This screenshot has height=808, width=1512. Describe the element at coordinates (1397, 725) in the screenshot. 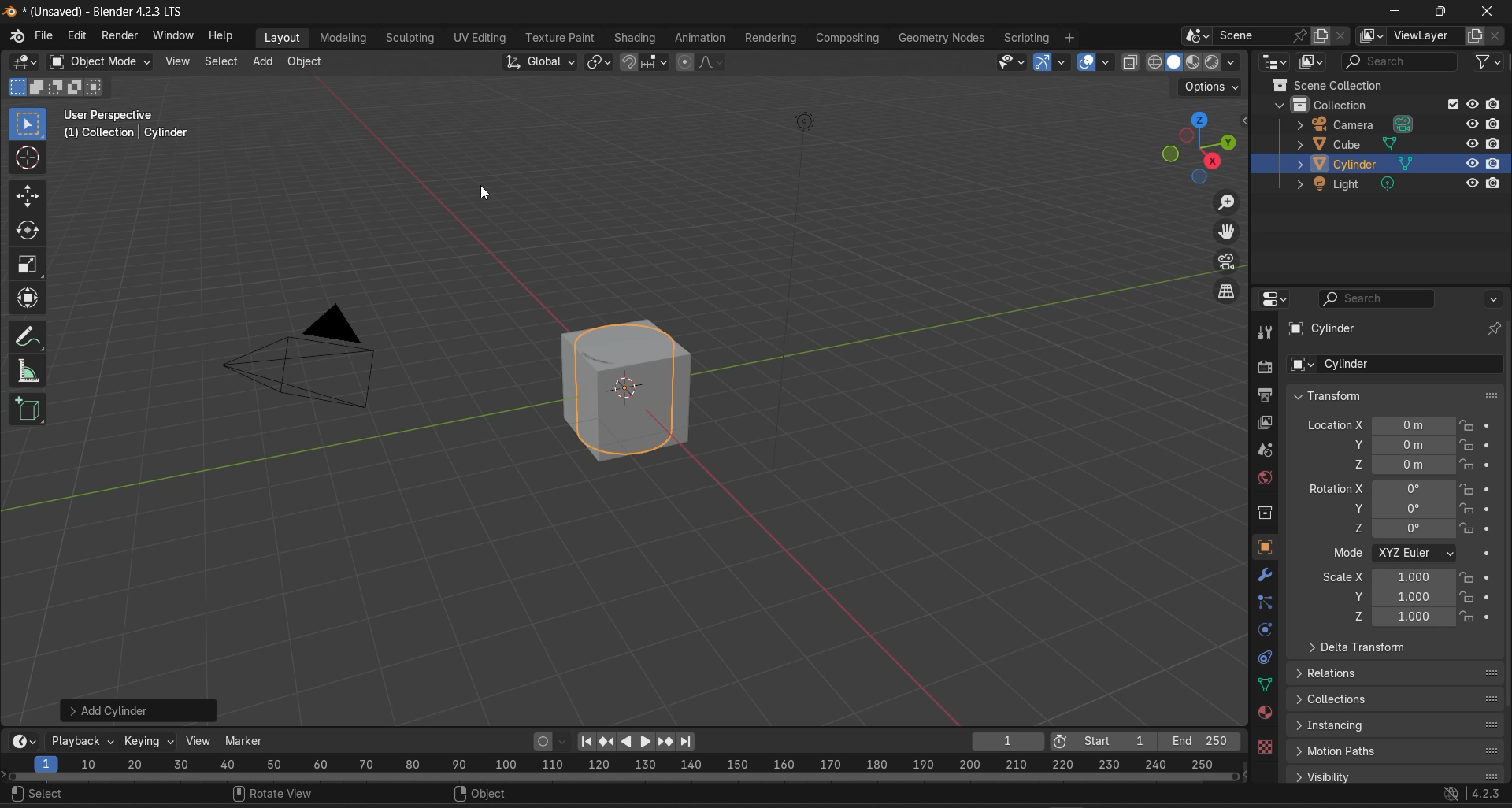

I see `instancing` at that location.